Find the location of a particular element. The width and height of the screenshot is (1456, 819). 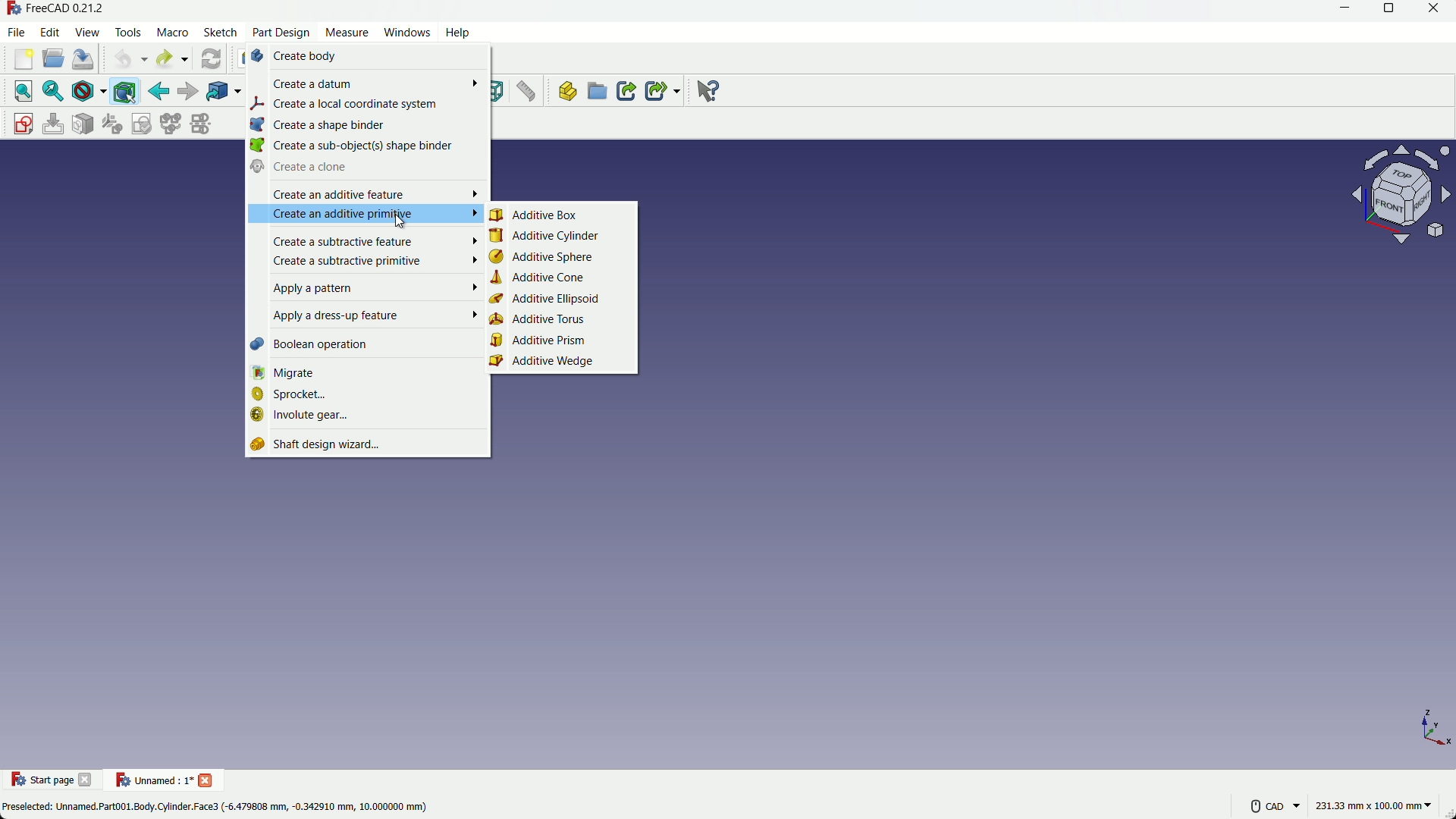

edit sketch is located at coordinates (54, 124).